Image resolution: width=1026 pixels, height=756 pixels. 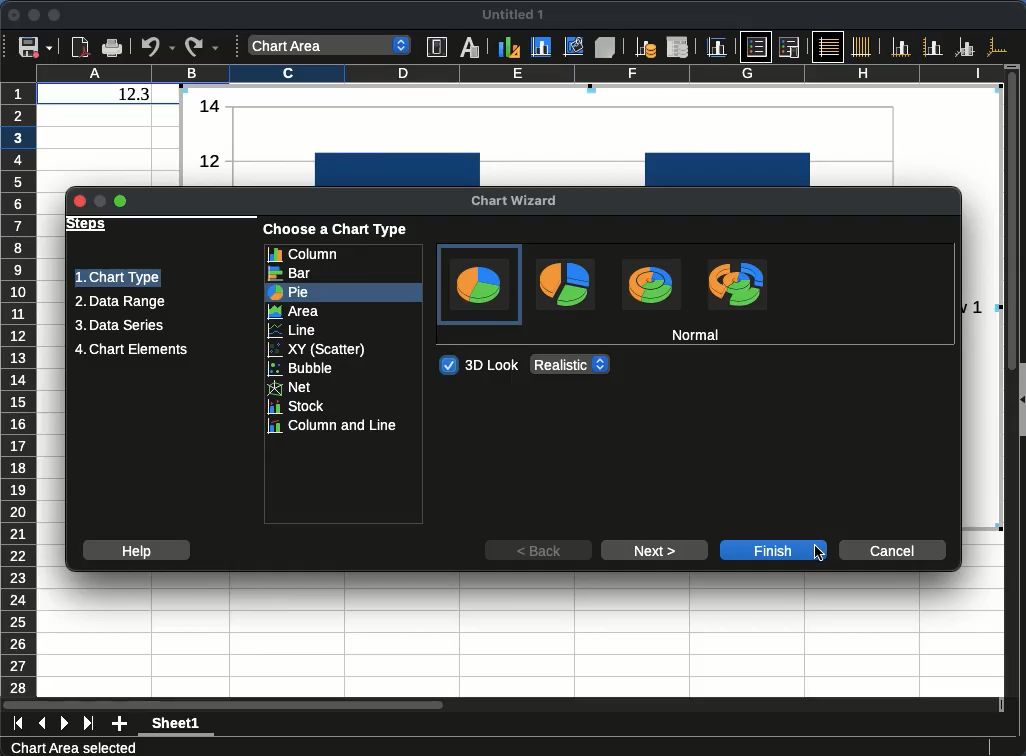 I want to click on Undo options, so click(x=158, y=46).